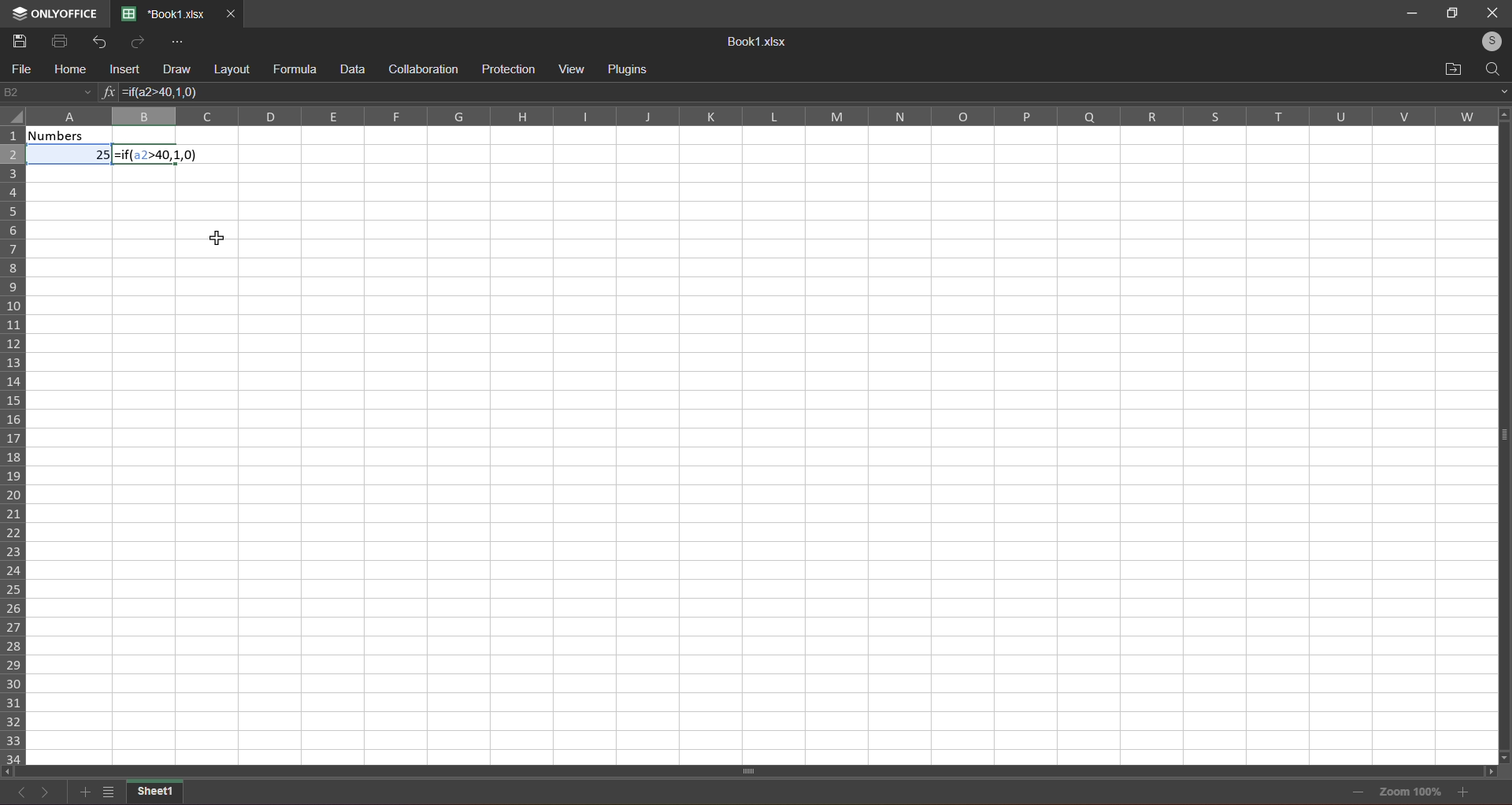 This screenshot has width=1512, height=805. I want to click on print, so click(58, 40).